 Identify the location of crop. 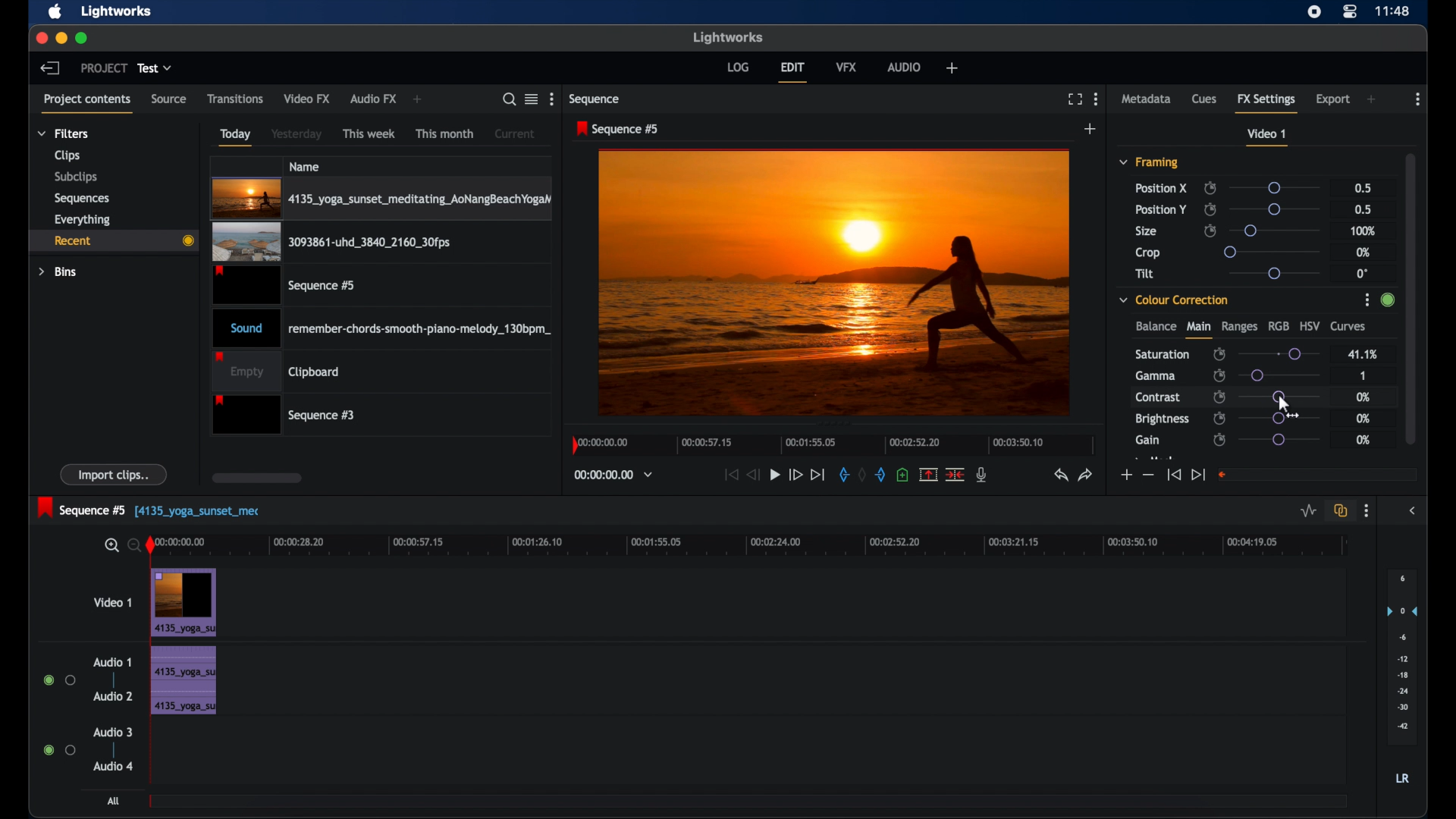
(1148, 253).